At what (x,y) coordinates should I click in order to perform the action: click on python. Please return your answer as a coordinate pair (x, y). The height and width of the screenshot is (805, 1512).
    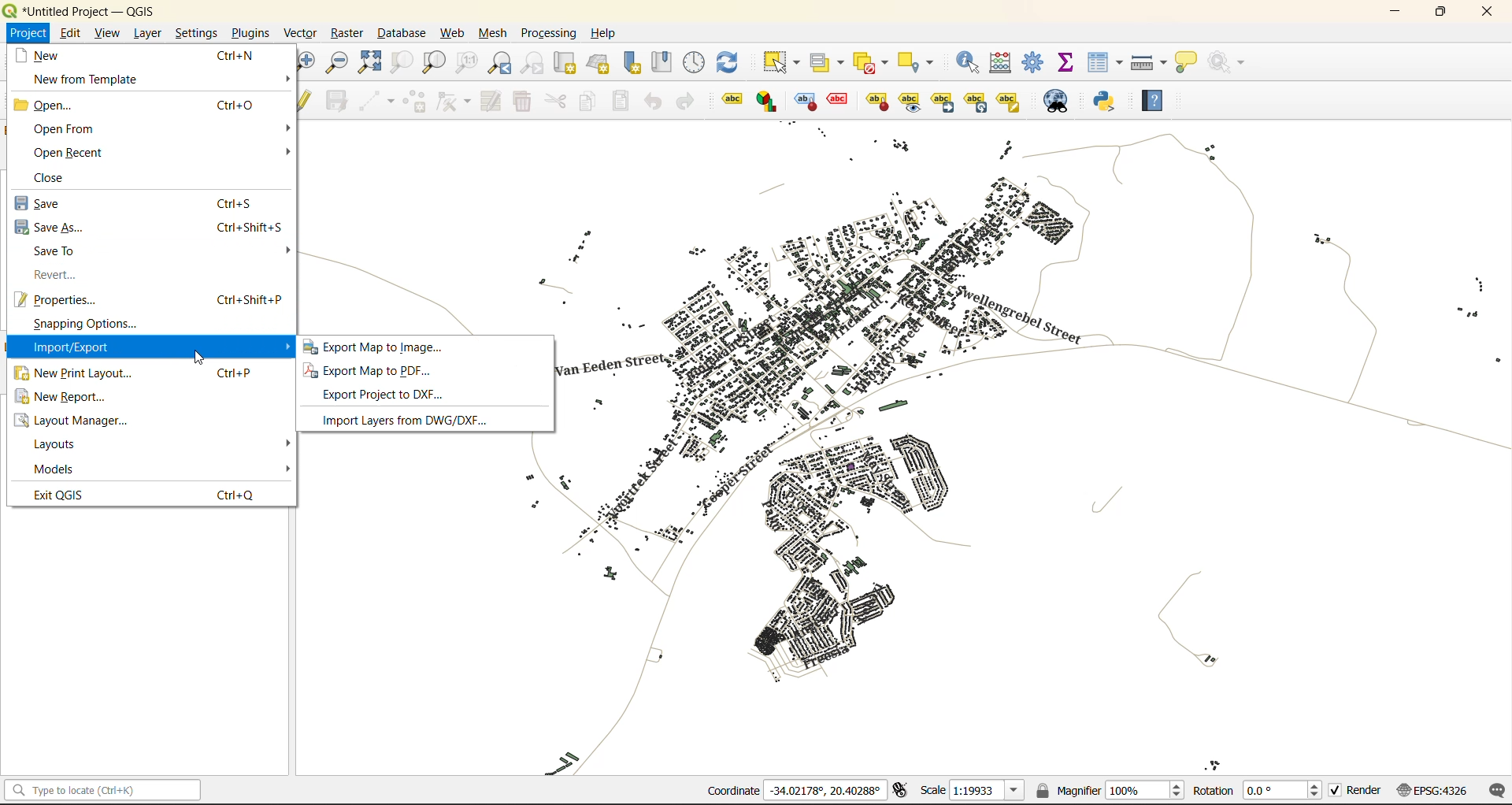
    Looking at the image, I should click on (1111, 102).